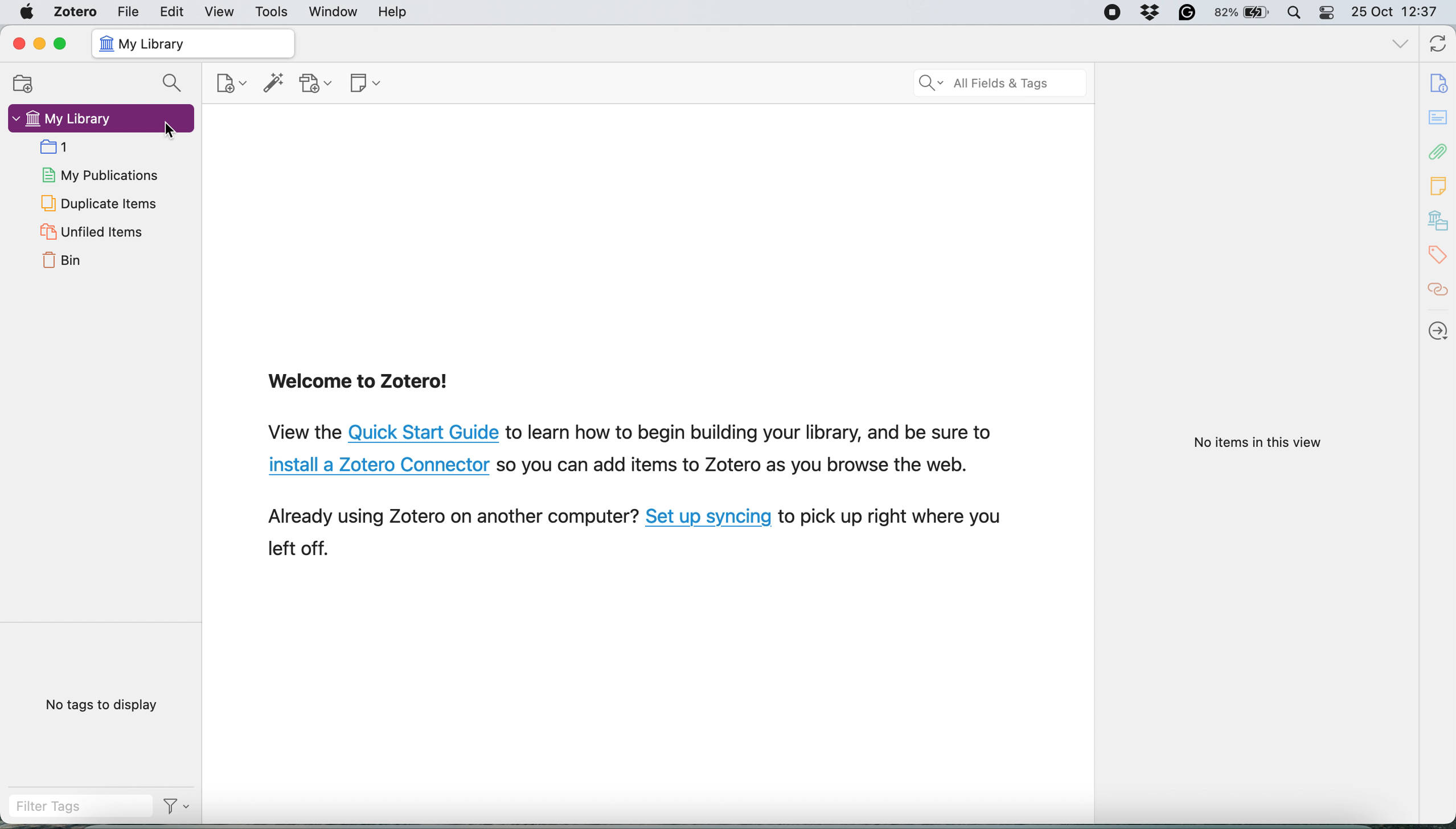  What do you see at coordinates (1438, 188) in the screenshot?
I see `note` at bounding box center [1438, 188].